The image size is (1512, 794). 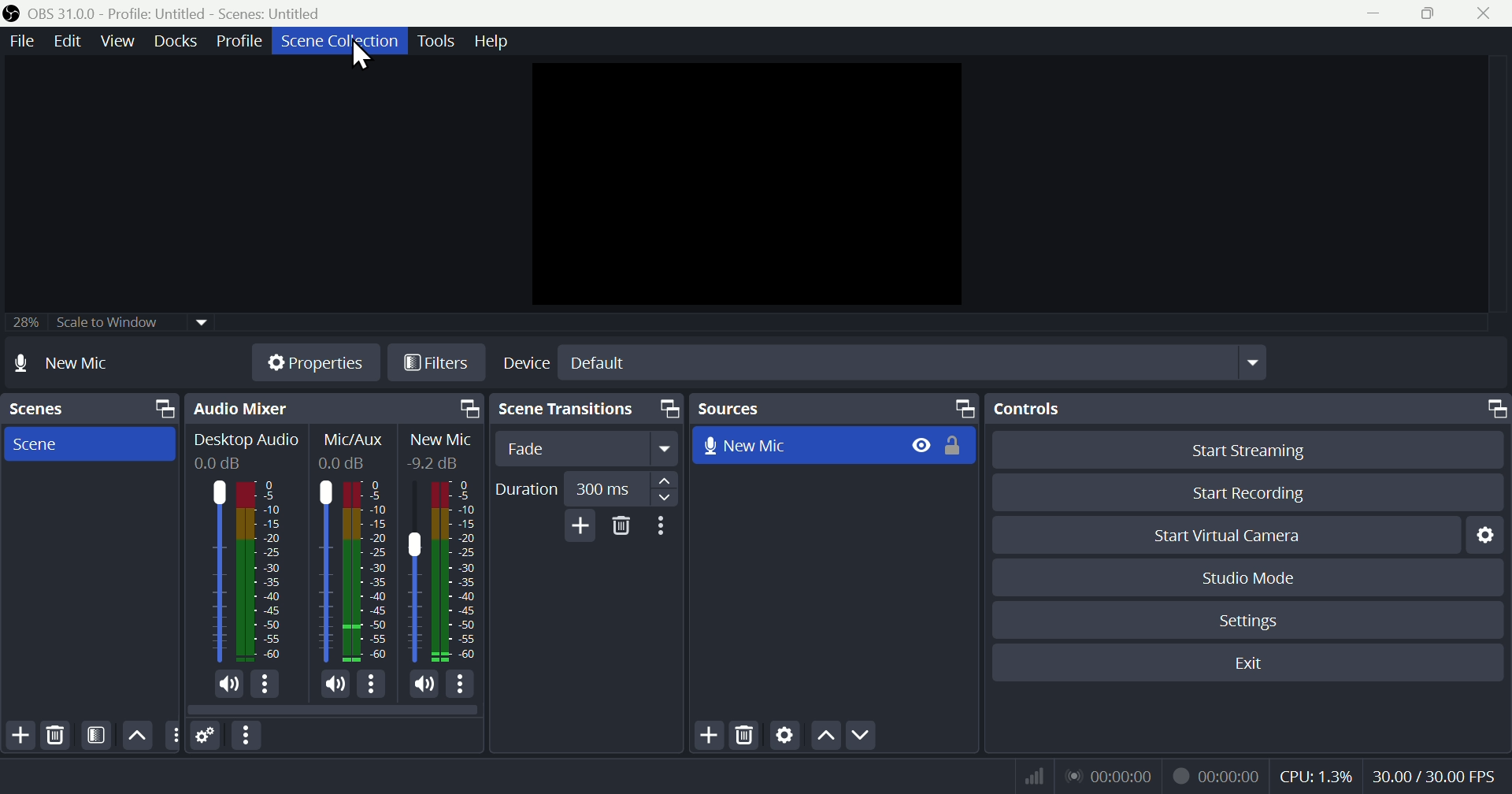 I want to click on Filter, so click(x=100, y=736).